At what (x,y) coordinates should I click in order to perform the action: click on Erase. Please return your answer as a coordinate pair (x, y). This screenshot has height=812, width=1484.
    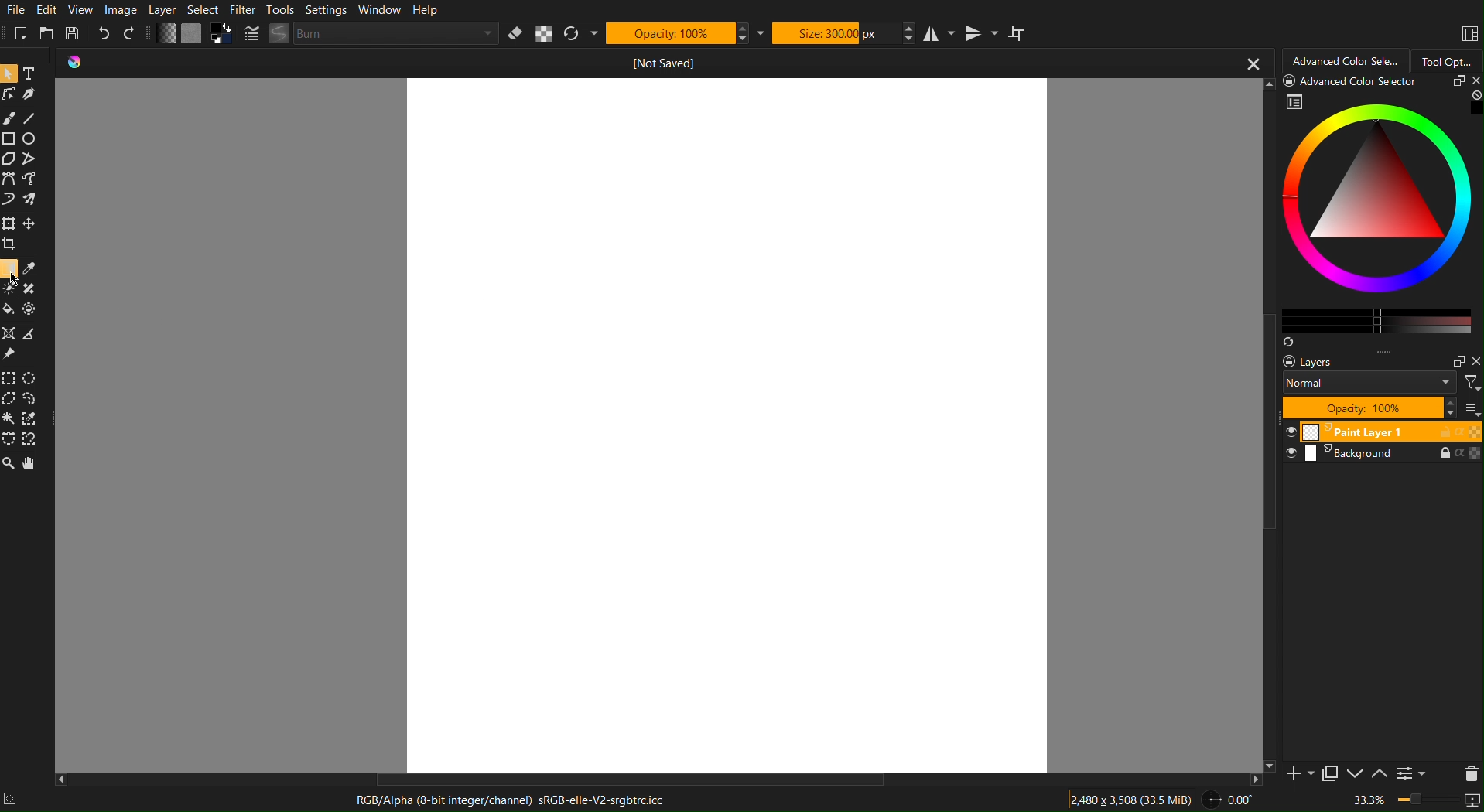
    Looking at the image, I should click on (518, 33).